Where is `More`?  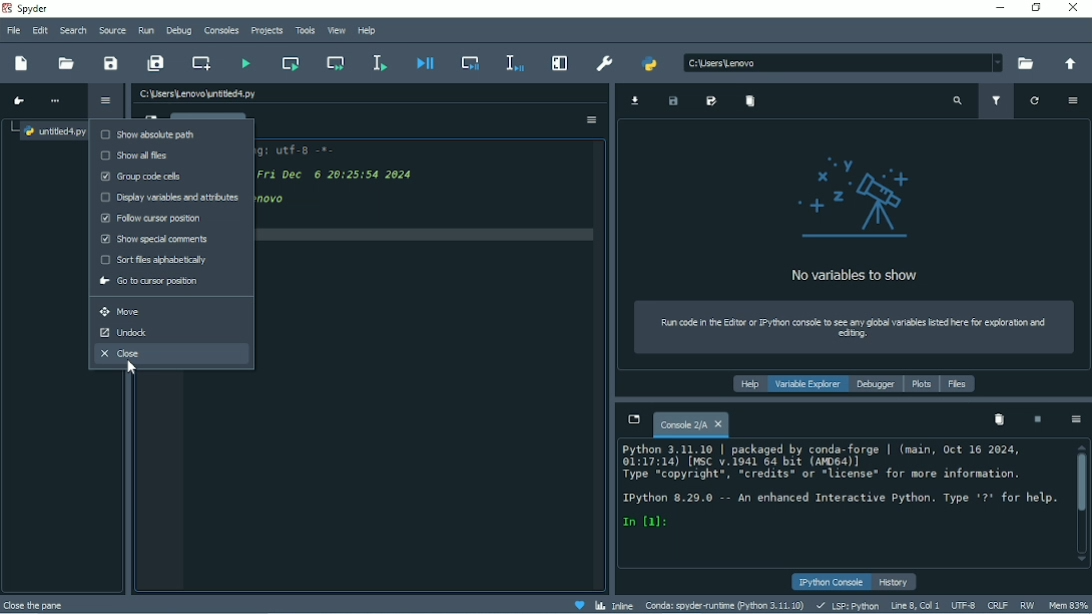 More is located at coordinates (58, 100).